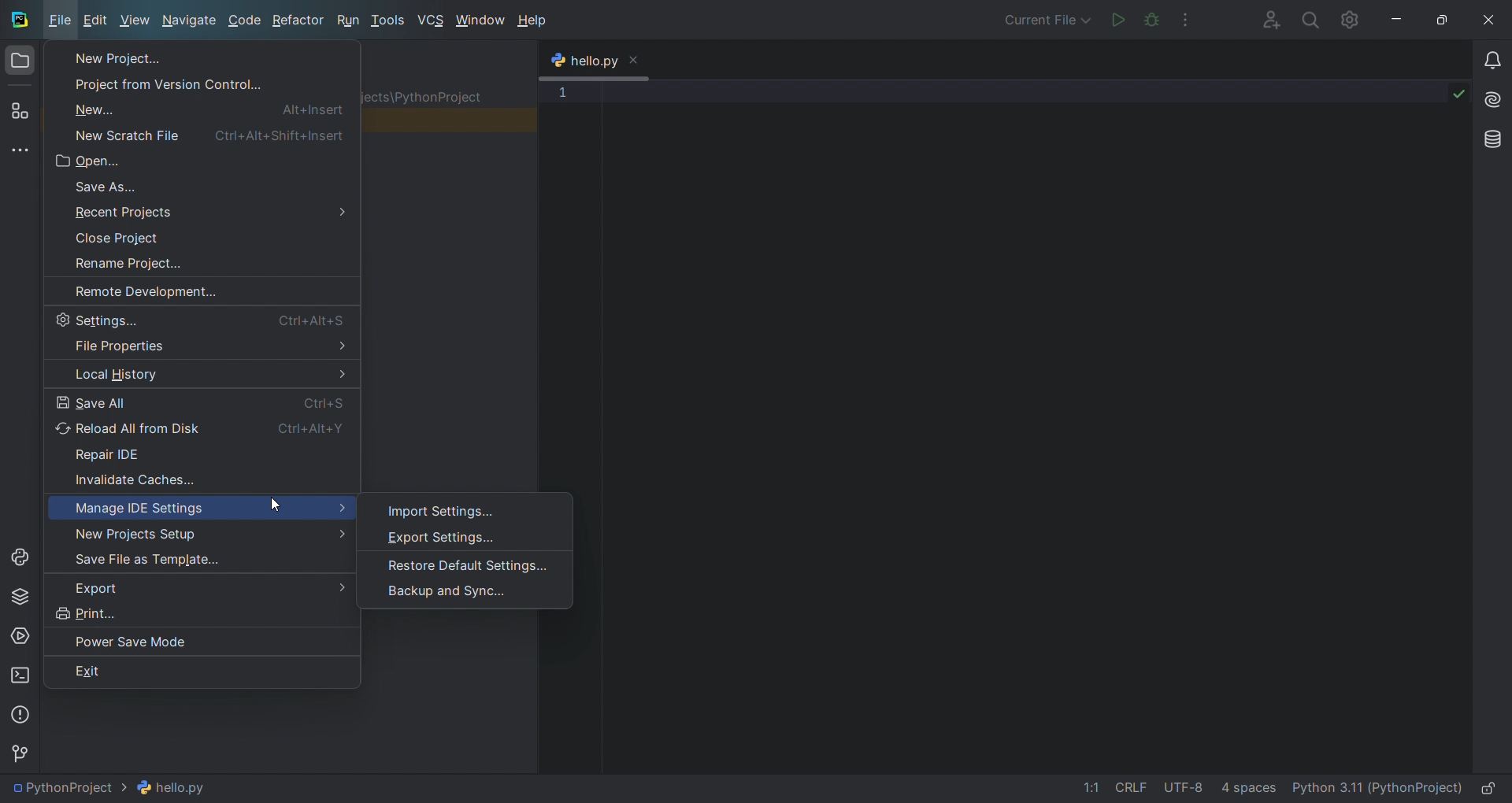 The width and height of the screenshot is (1512, 803). I want to click on setup, so click(200, 532).